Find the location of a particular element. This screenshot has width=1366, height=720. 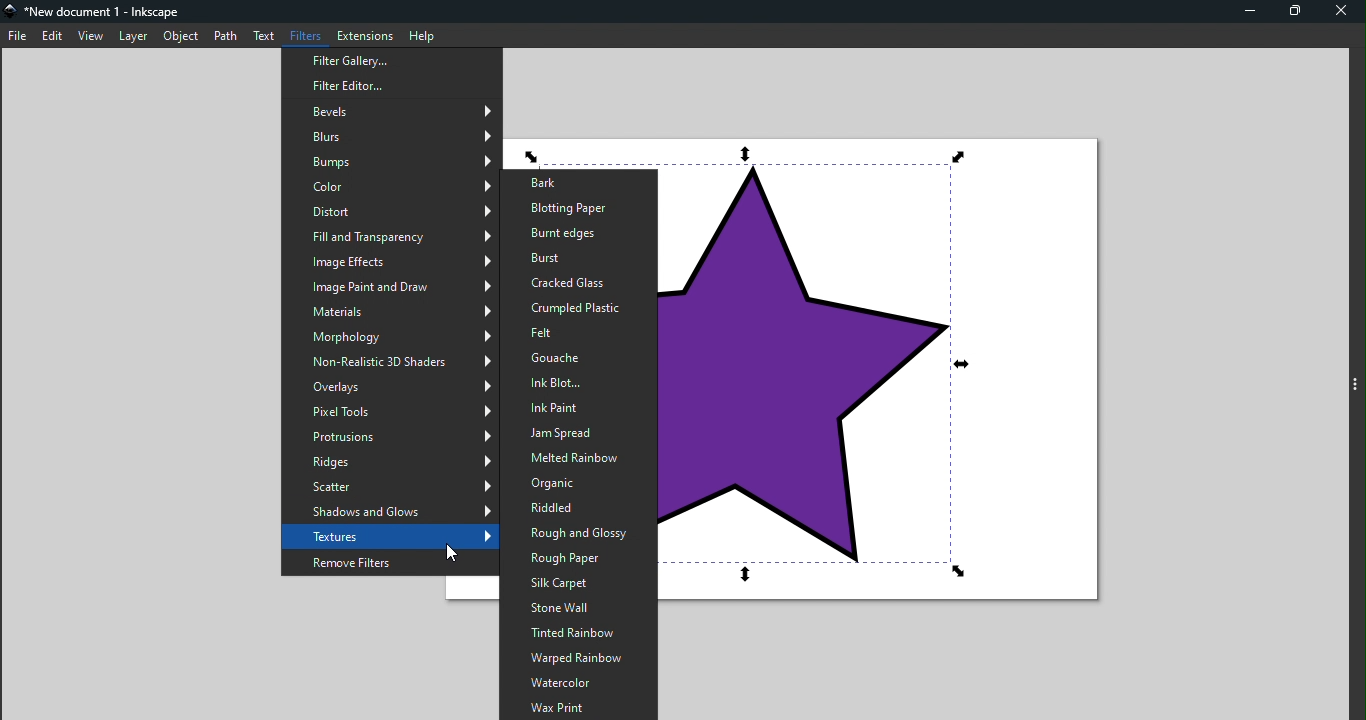

Minimize is located at coordinates (1249, 13).